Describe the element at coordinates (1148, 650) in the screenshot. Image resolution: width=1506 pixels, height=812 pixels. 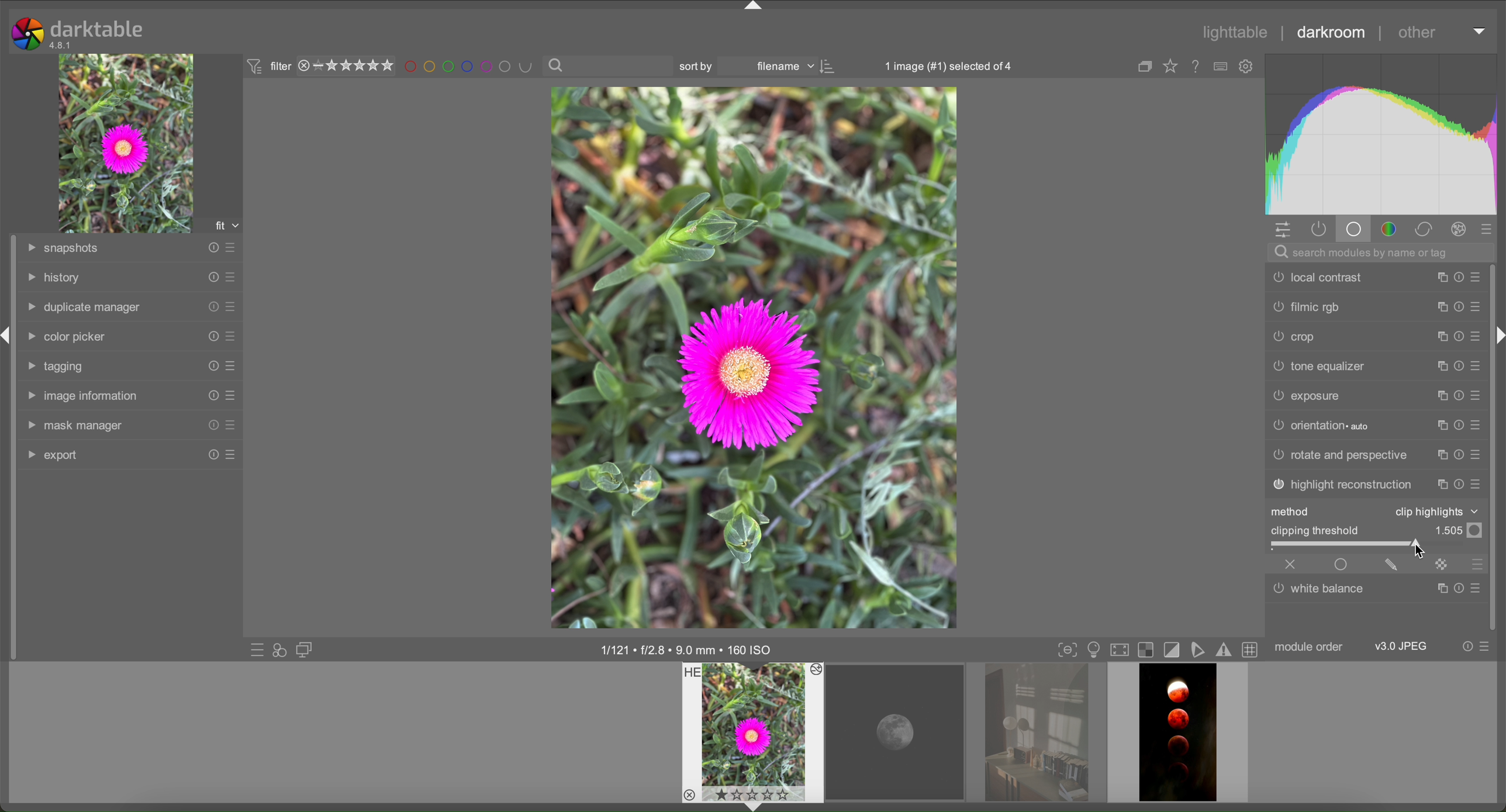
I see `overexposure` at that location.